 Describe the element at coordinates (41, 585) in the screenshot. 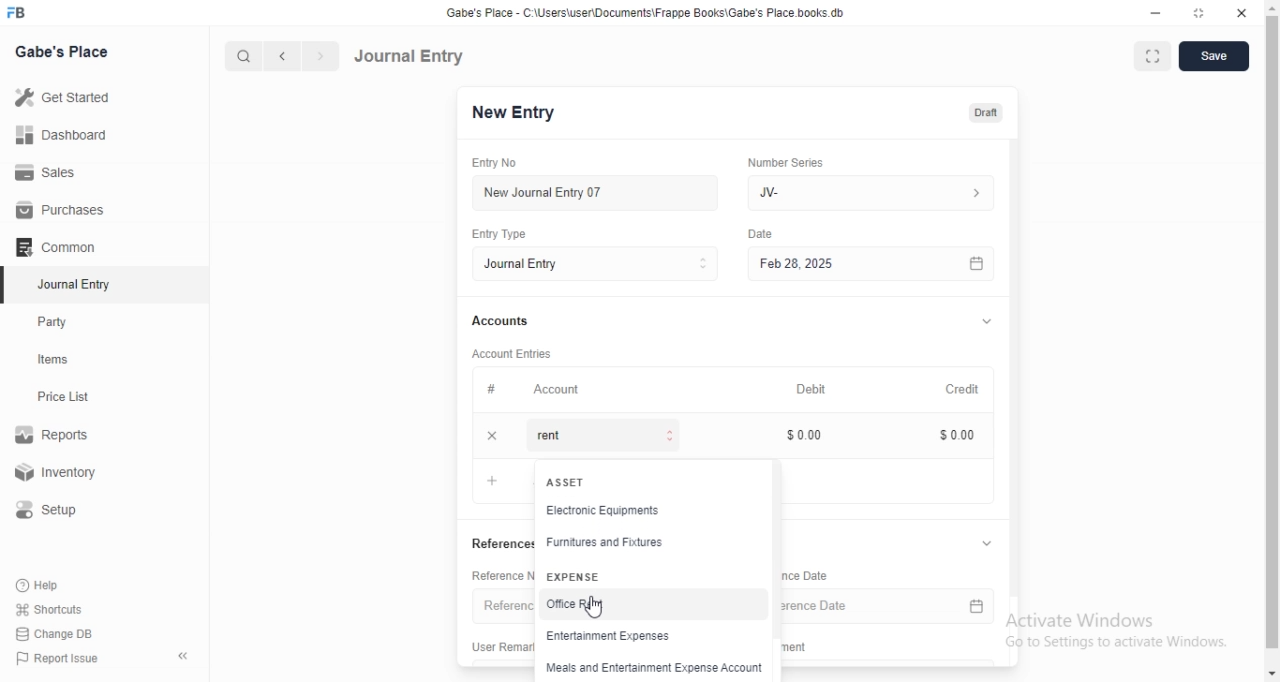

I see `Help` at that location.